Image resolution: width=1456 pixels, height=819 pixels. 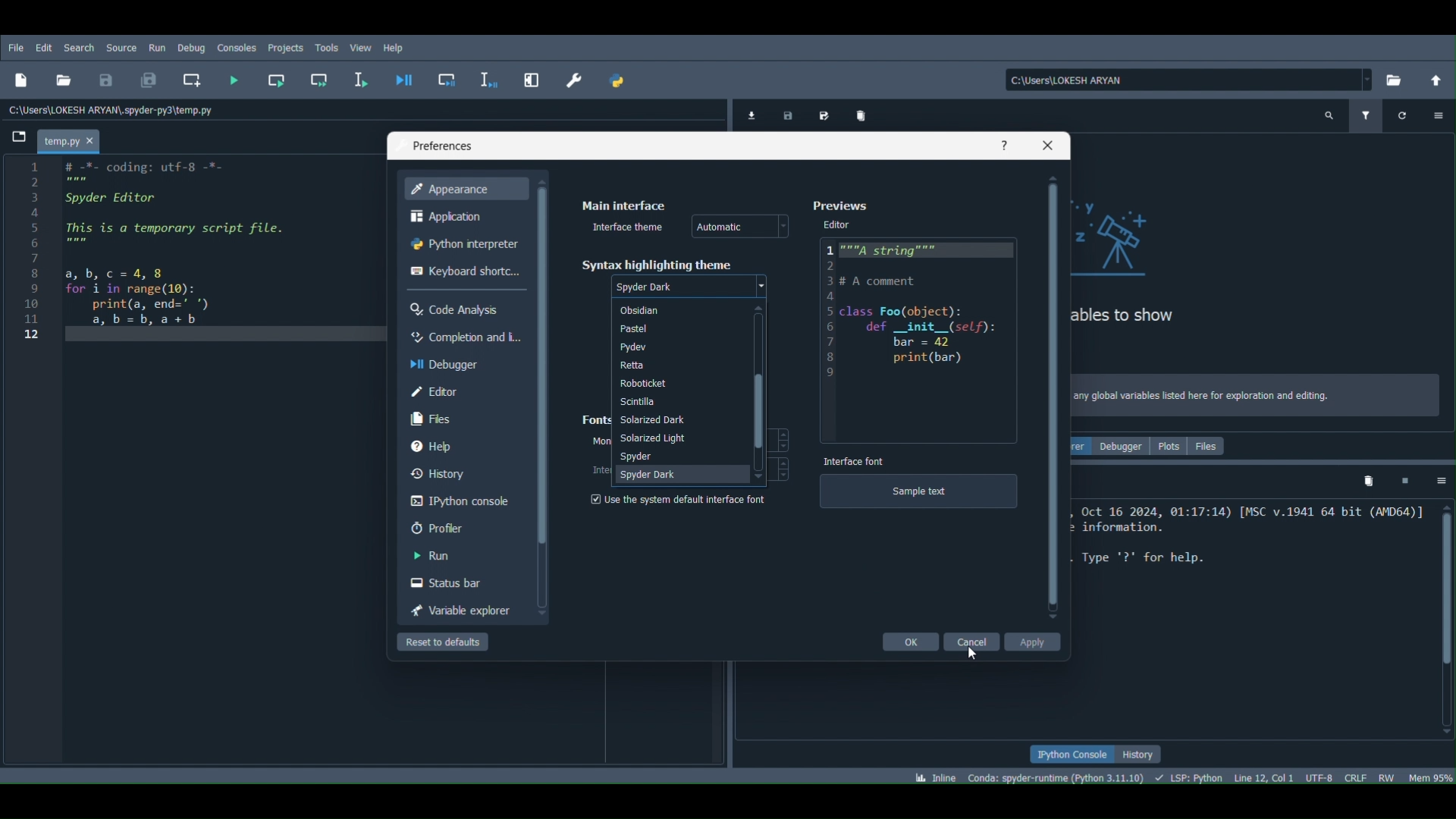 What do you see at coordinates (457, 309) in the screenshot?
I see `Code Analysis` at bounding box center [457, 309].